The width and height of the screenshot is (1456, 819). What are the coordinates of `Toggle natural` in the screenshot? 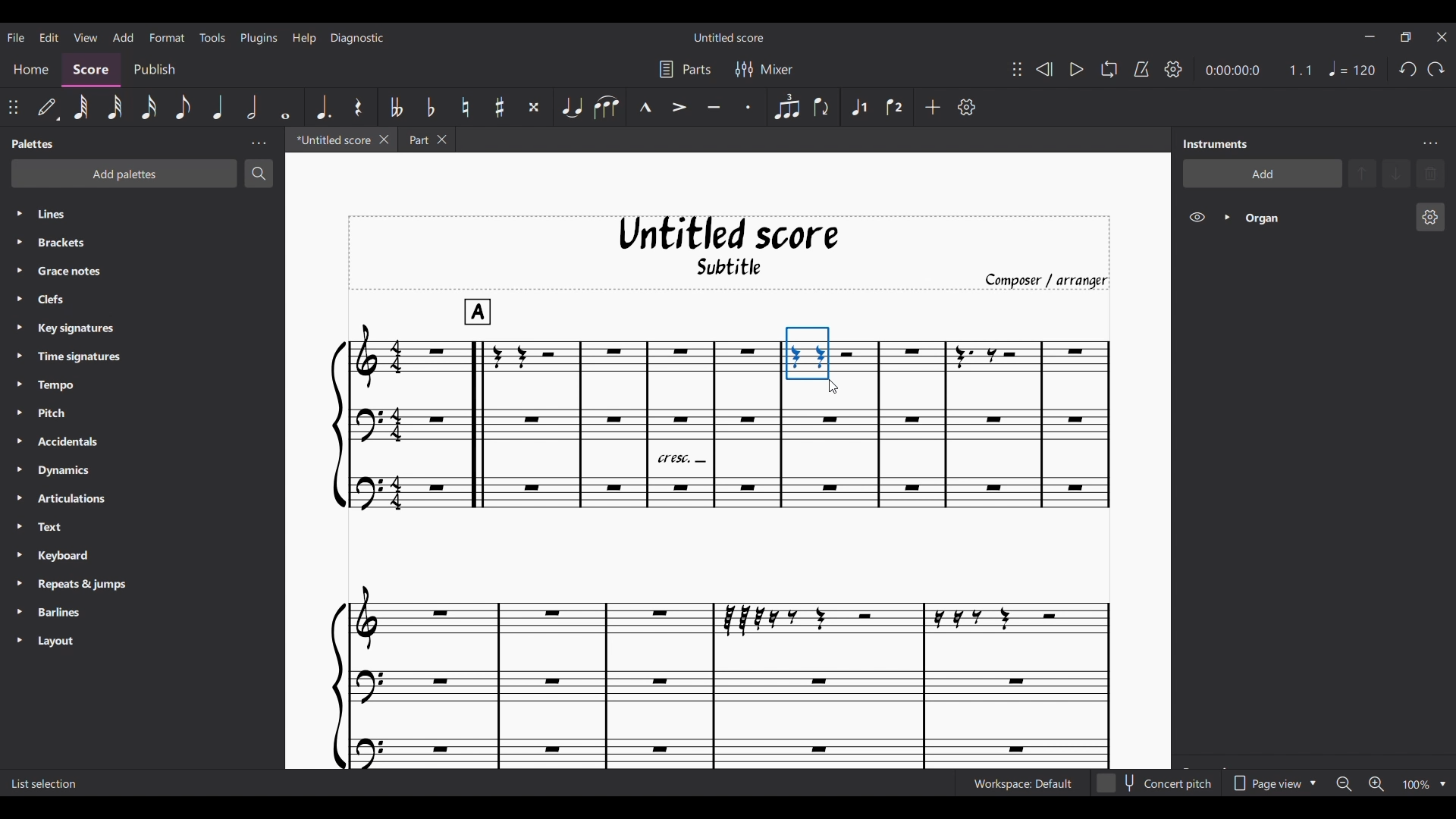 It's located at (465, 108).